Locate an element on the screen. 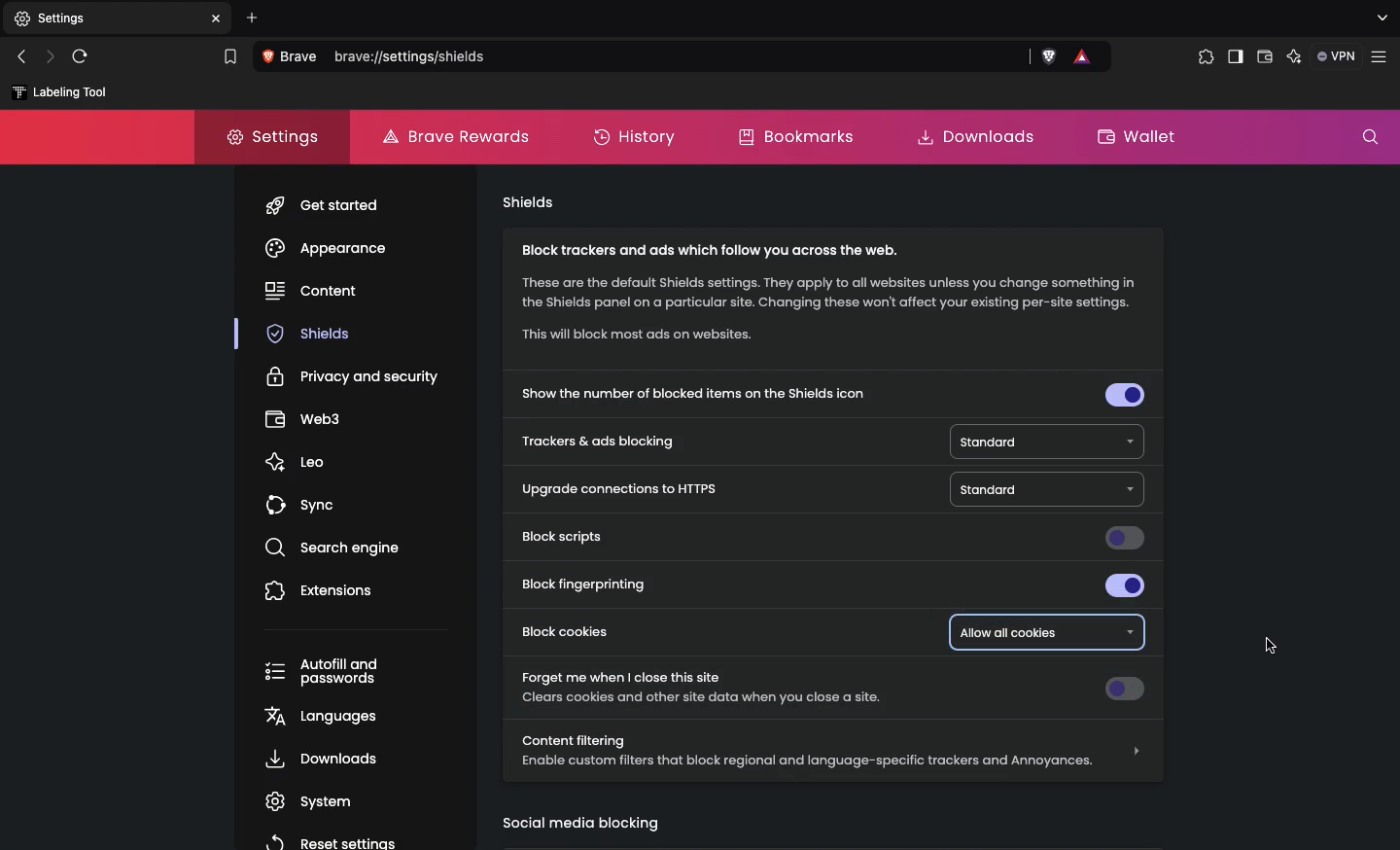 Image resolution: width=1400 pixels, height=850 pixels. Allowed all cookies  is located at coordinates (1043, 632).